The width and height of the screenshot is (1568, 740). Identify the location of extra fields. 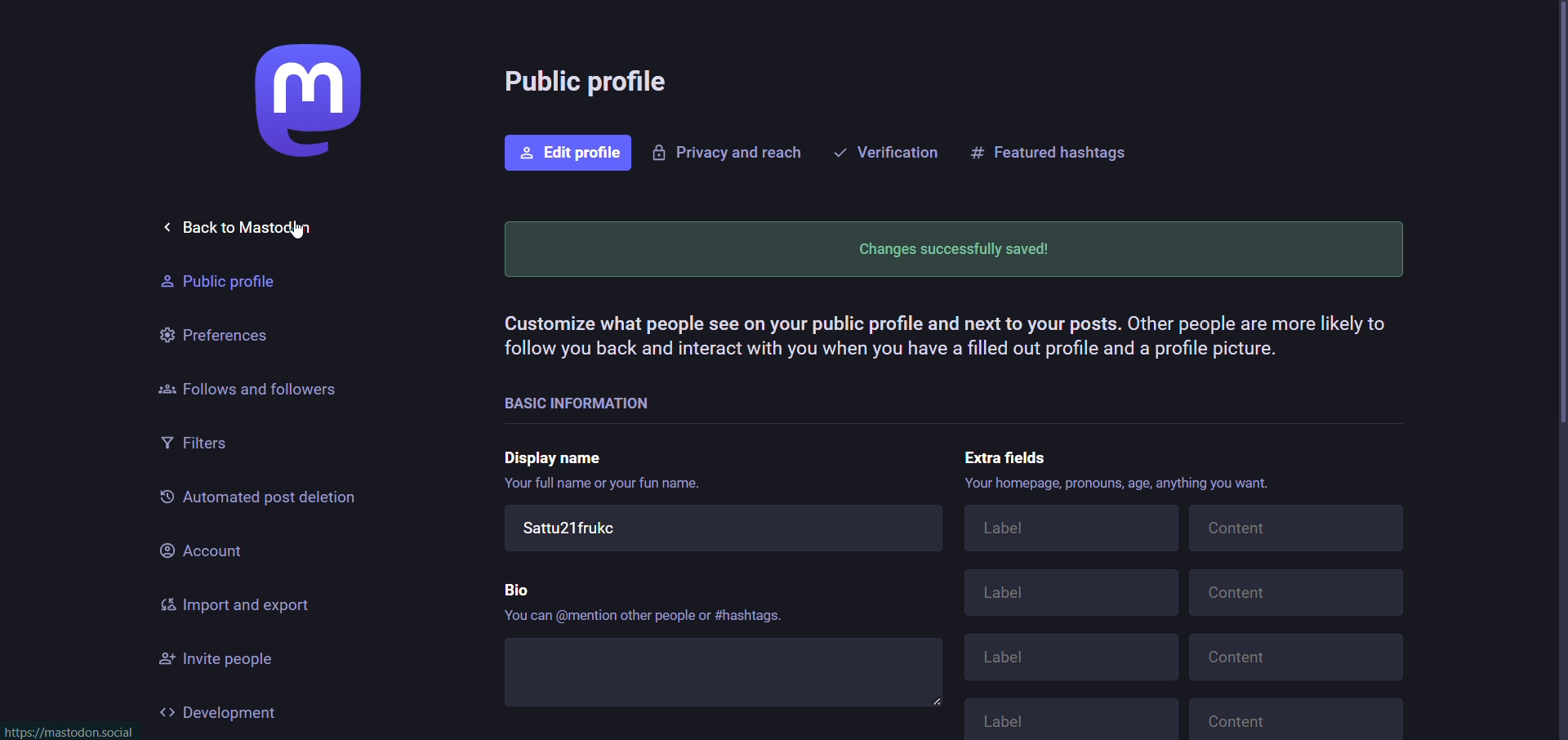
(1010, 453).